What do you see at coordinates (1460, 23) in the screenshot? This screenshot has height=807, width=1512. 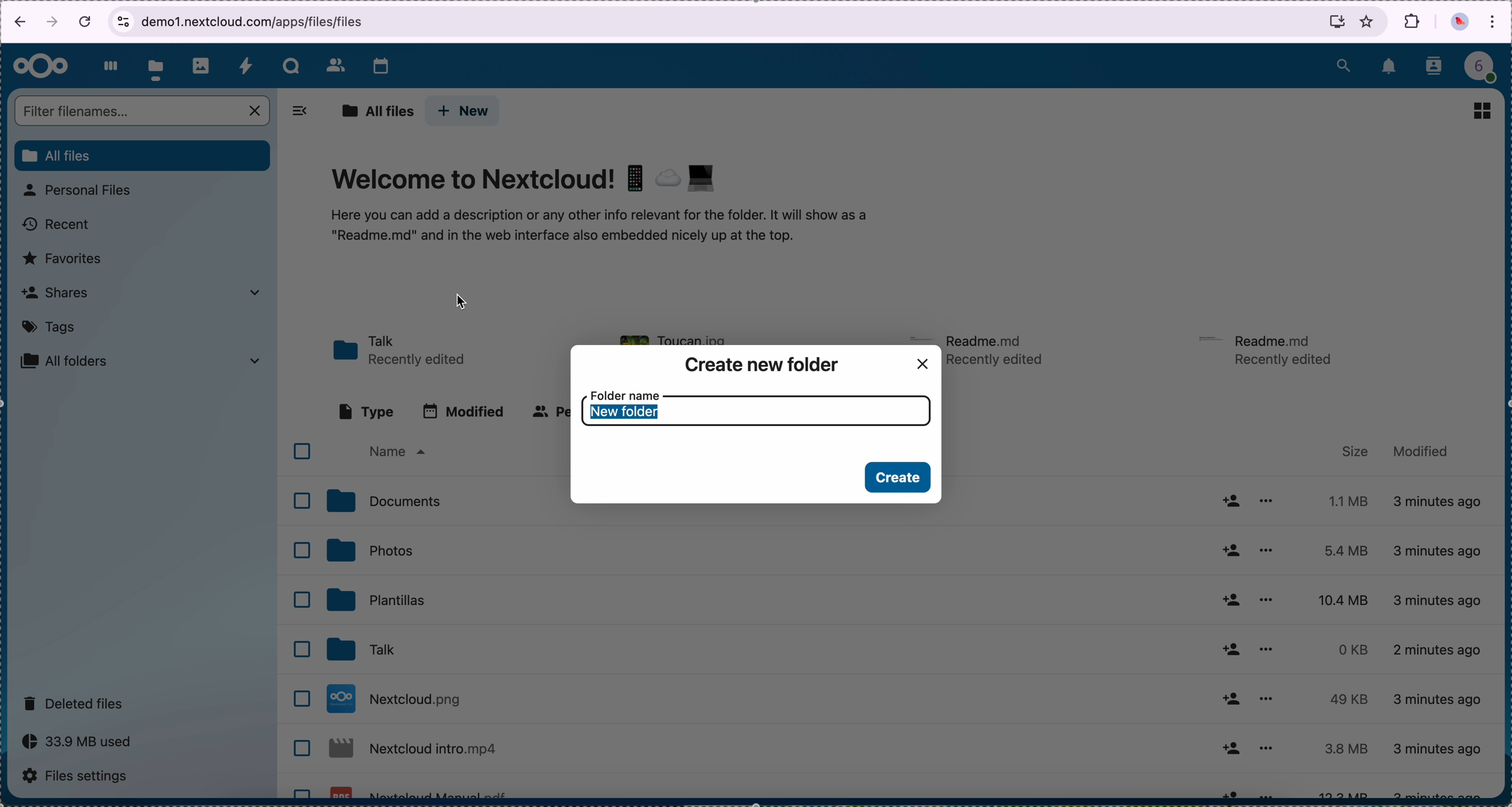 I see `profile picture` at bounding box center [1460, 23].